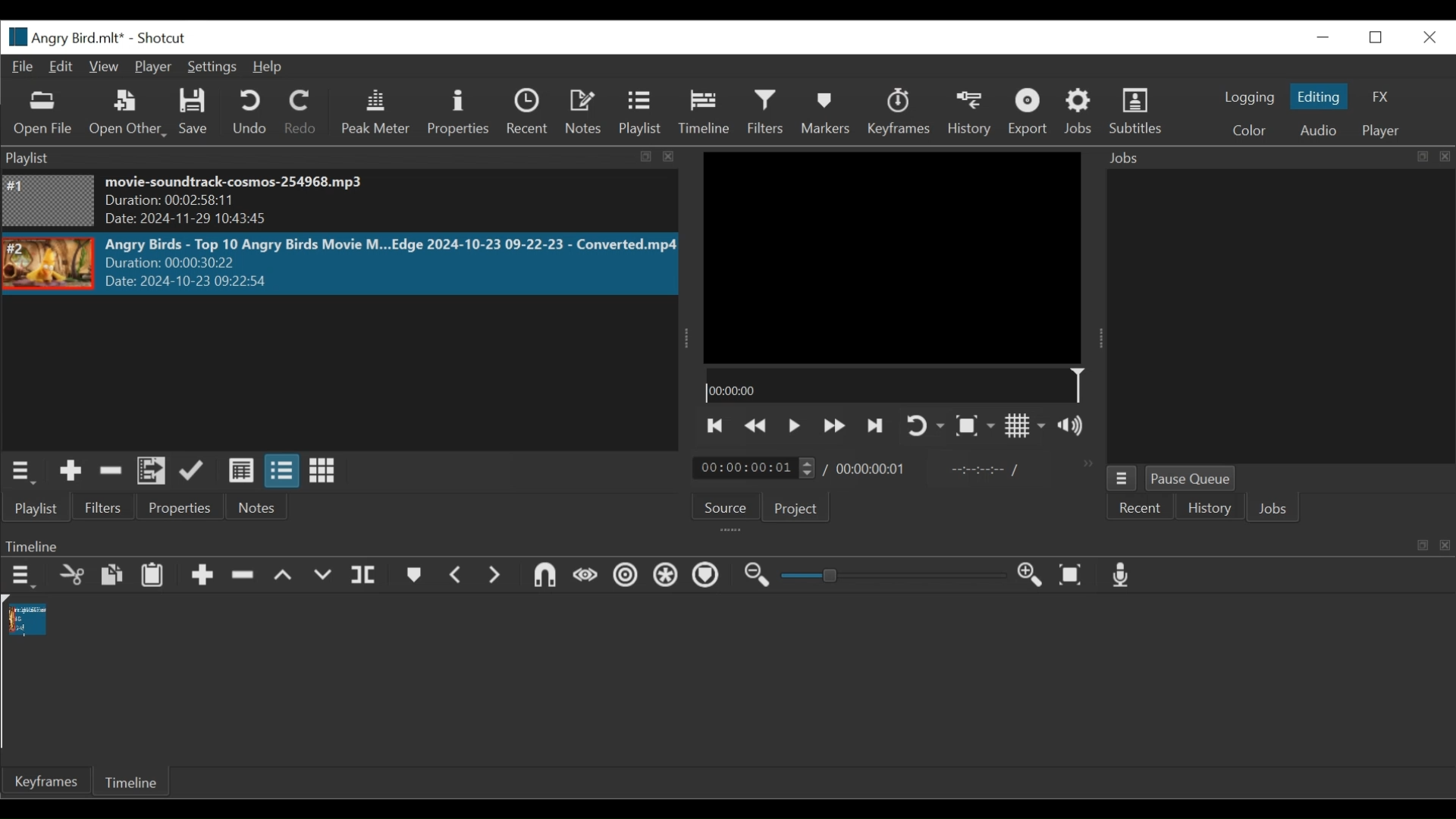  Describe the element at coordinates (667, 578) in the screenshot. I see `Ripple all tracks` at that location.